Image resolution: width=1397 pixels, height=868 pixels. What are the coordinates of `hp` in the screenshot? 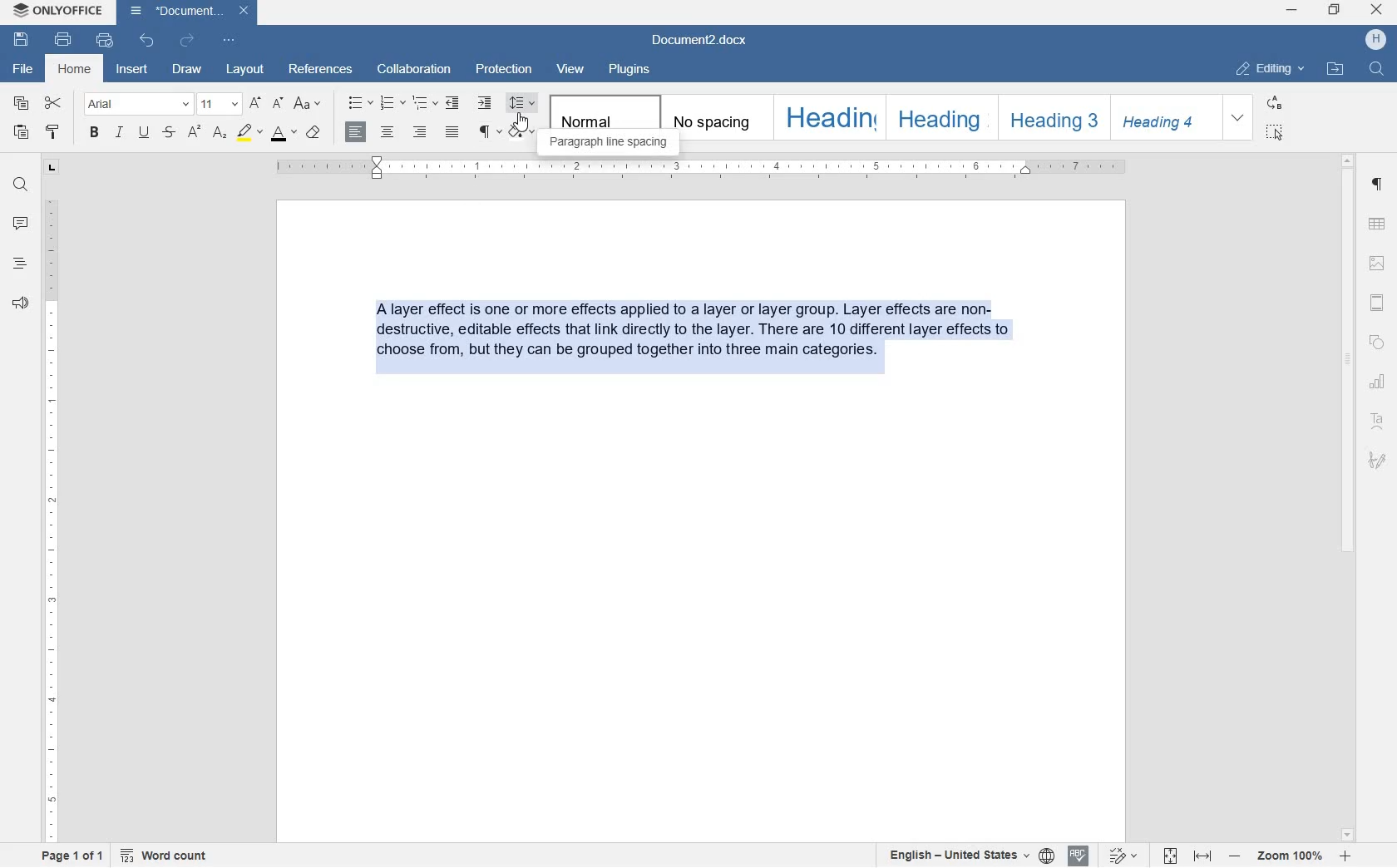 It's located at (1375, 40).